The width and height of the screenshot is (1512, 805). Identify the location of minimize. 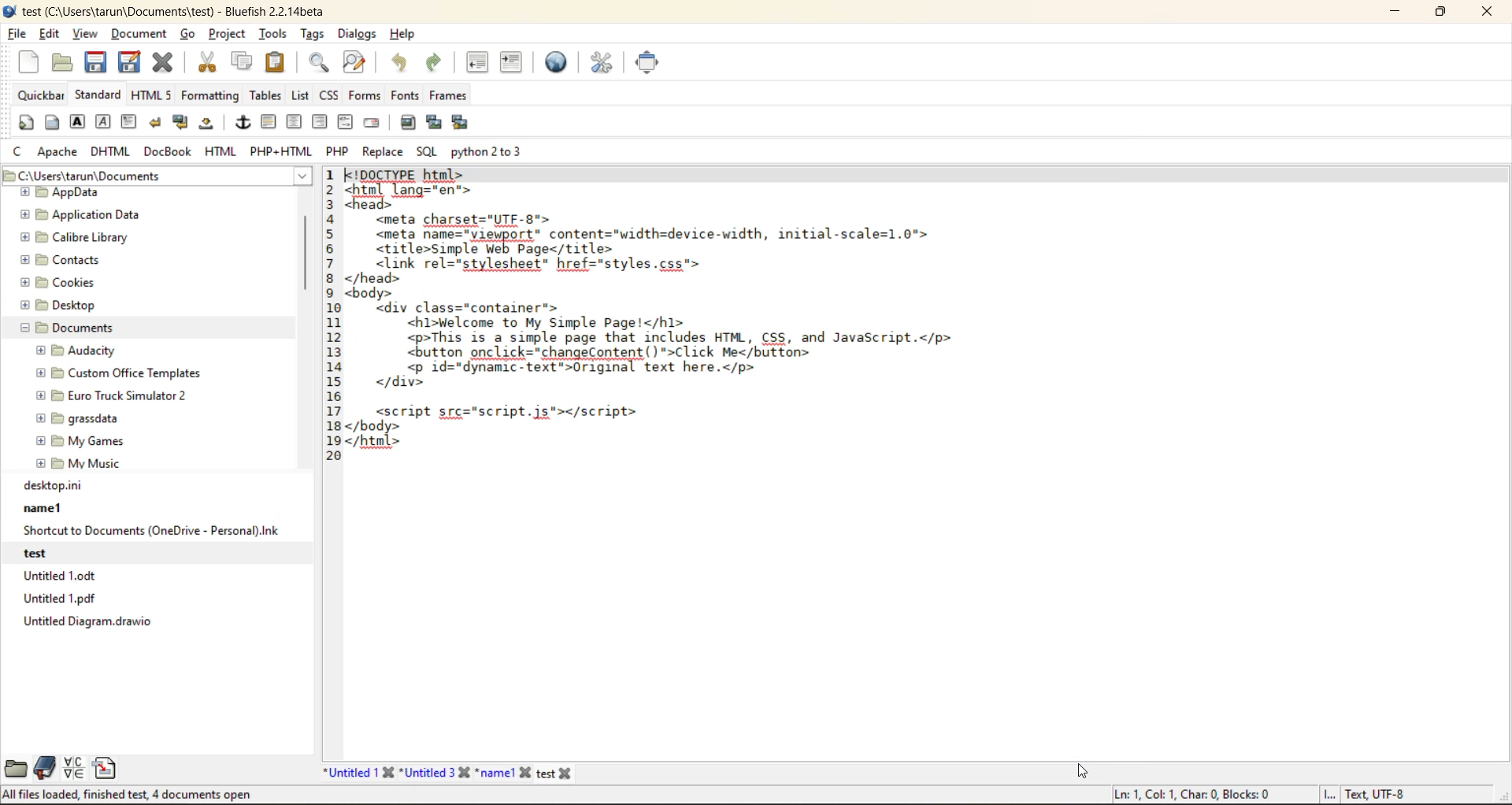
(1392, 11).